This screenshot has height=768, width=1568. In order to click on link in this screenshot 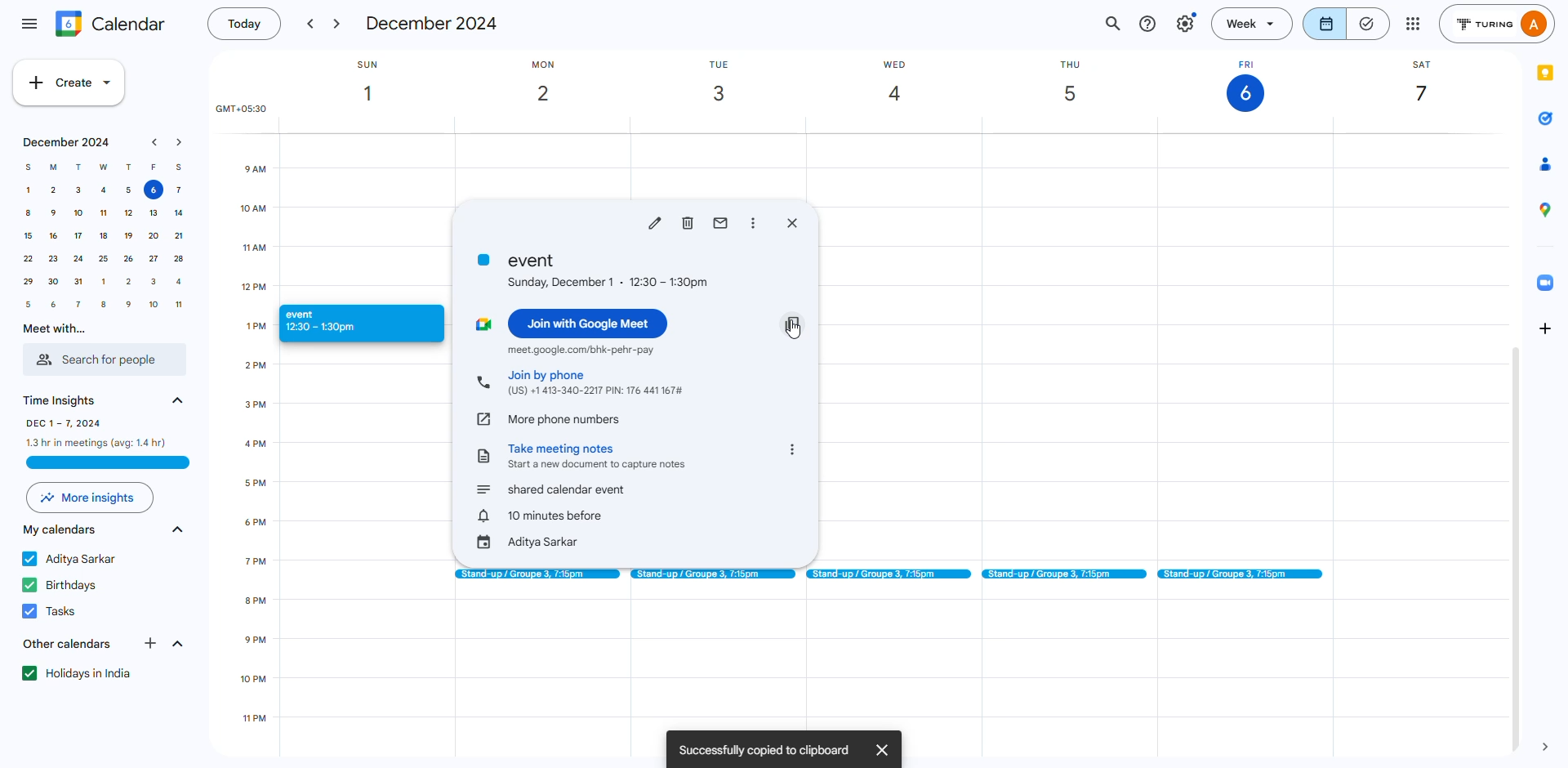, I will do `click(484, 417)`.